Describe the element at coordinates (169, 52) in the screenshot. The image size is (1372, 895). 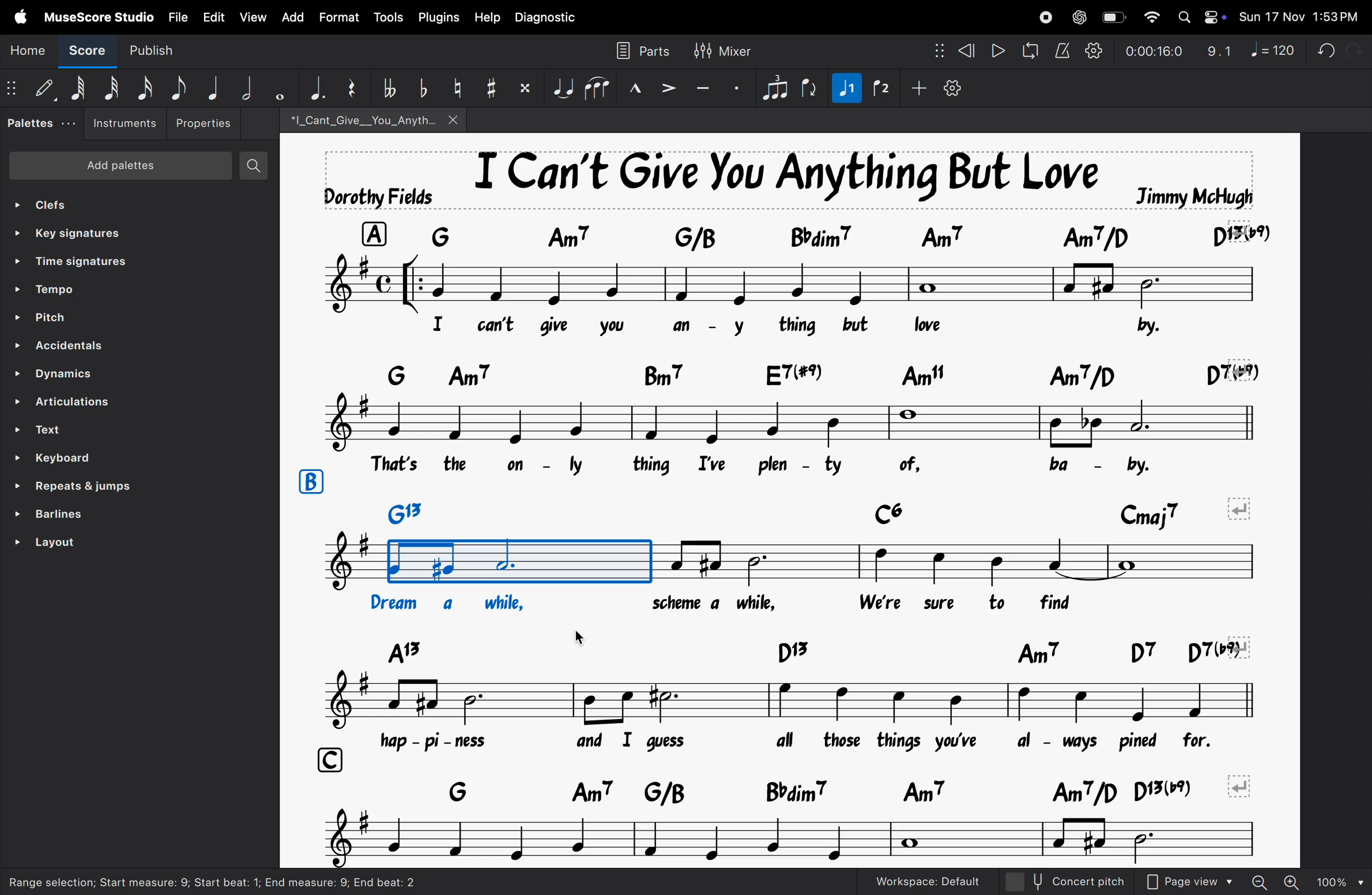
I see `publish` at that location.